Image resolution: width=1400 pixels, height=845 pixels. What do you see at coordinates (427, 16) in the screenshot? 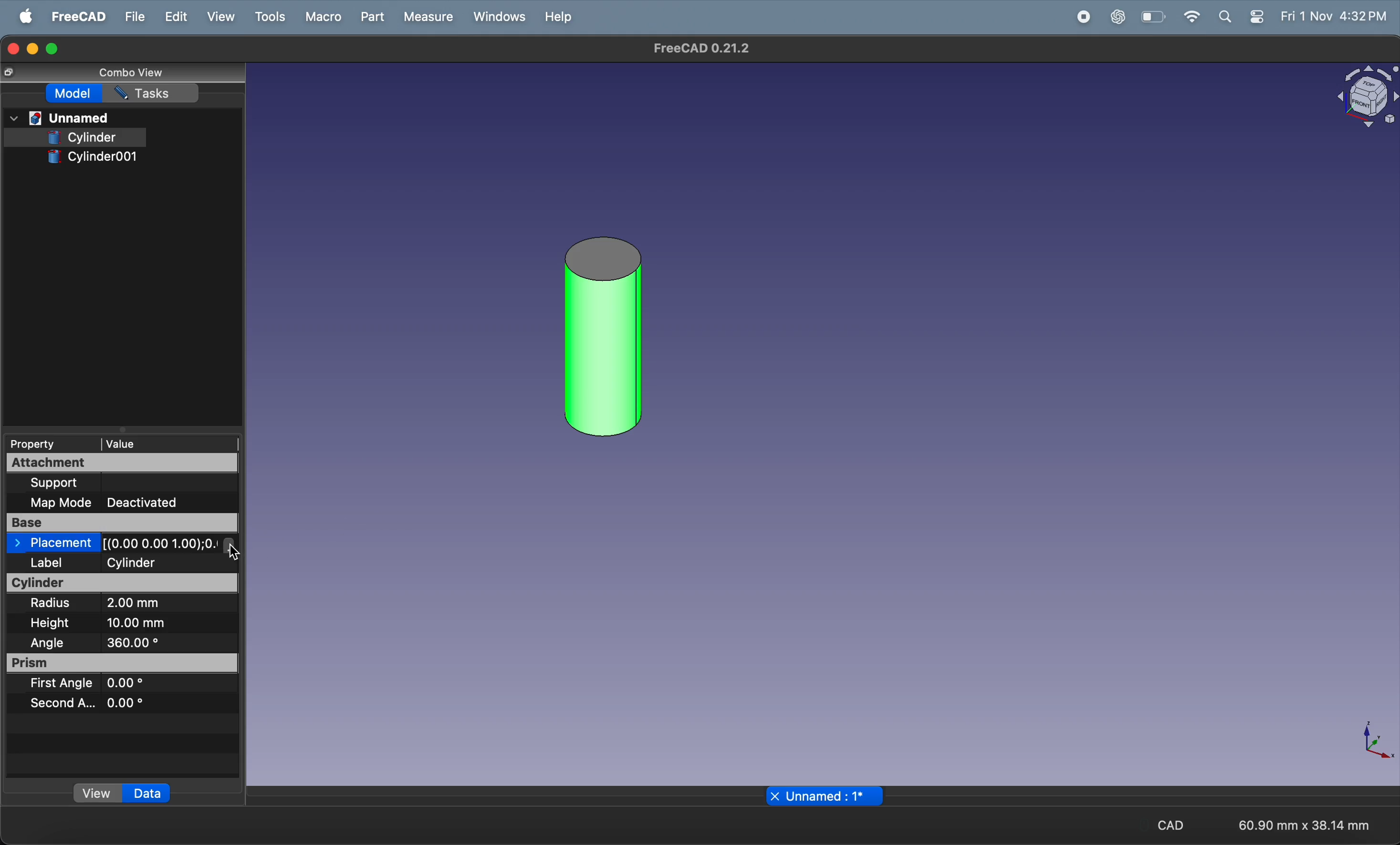
I see `measure` at bounding box center [427, 16].